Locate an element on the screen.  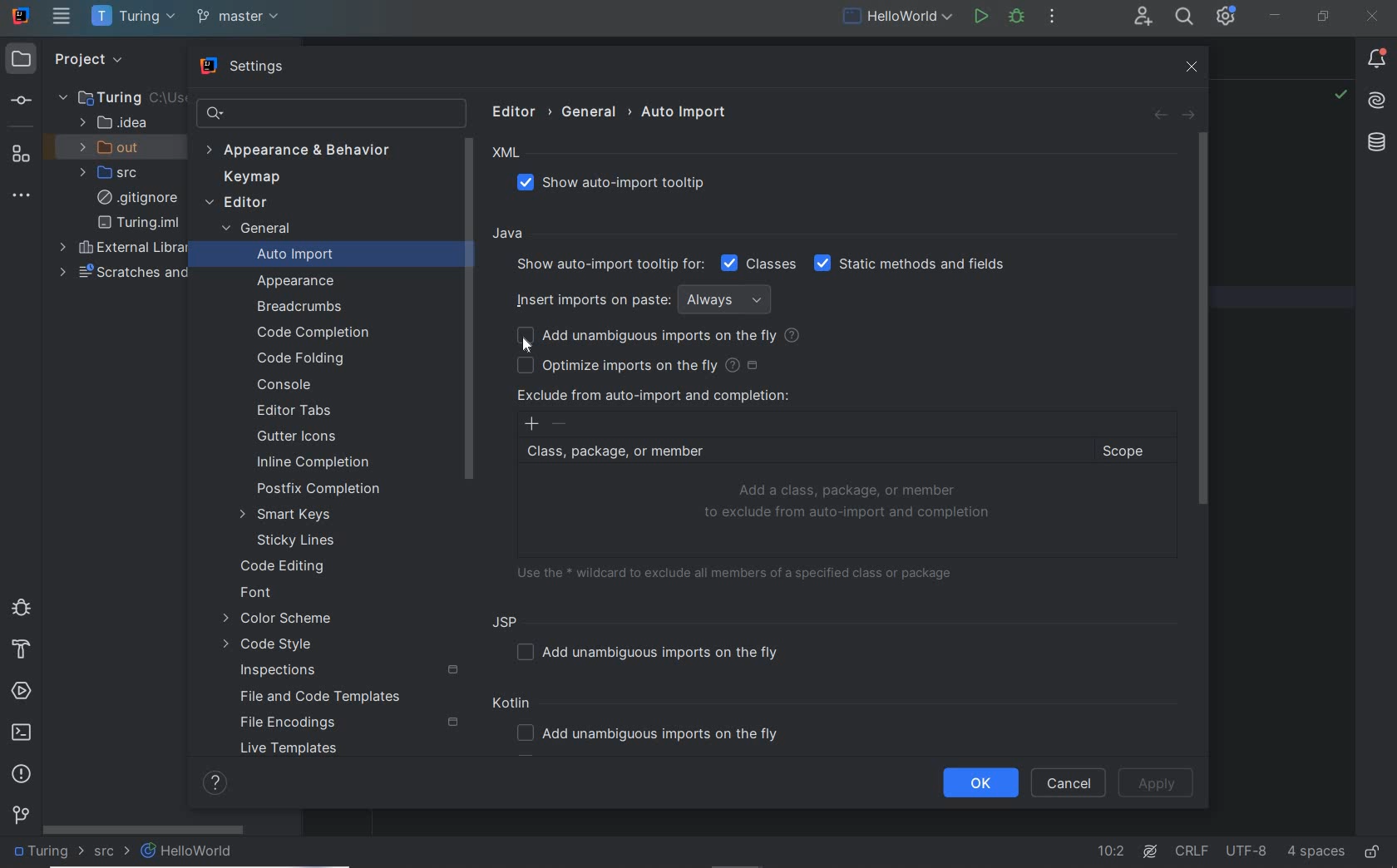
close is located at coordinates (1194, 67).